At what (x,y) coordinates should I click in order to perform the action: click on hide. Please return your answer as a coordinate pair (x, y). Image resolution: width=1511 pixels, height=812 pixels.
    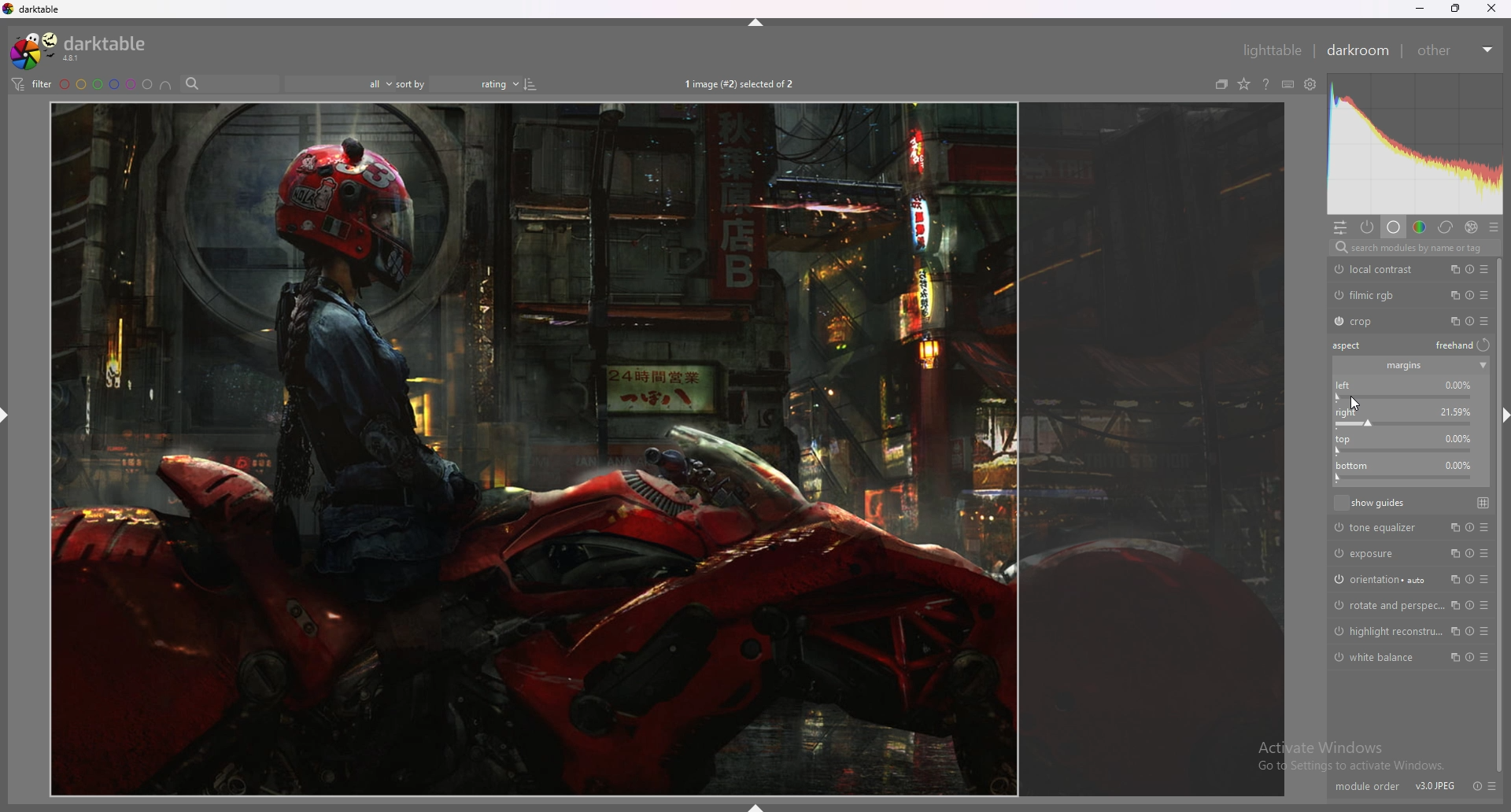
    Looking at the image, I should click on (755, 806).